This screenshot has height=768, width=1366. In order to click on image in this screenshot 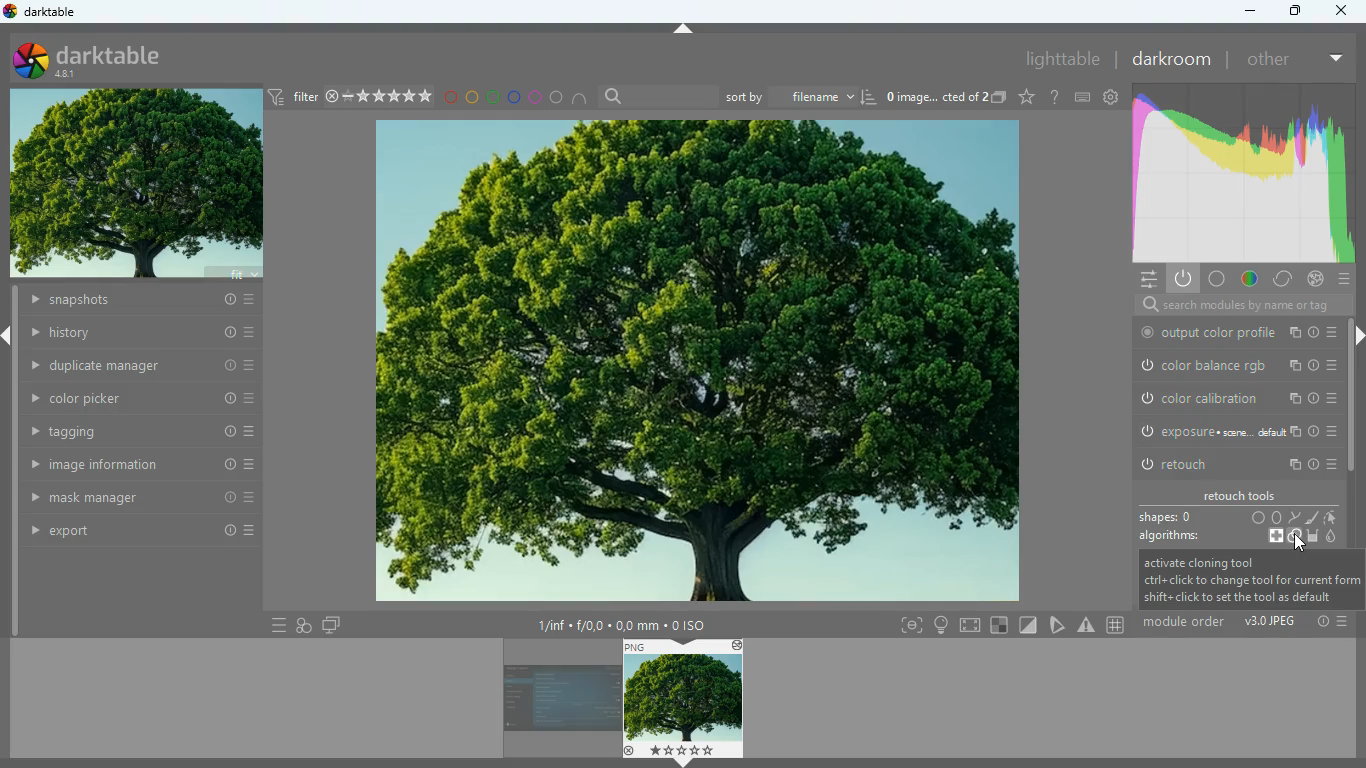, I will do `click(683, 701)`.